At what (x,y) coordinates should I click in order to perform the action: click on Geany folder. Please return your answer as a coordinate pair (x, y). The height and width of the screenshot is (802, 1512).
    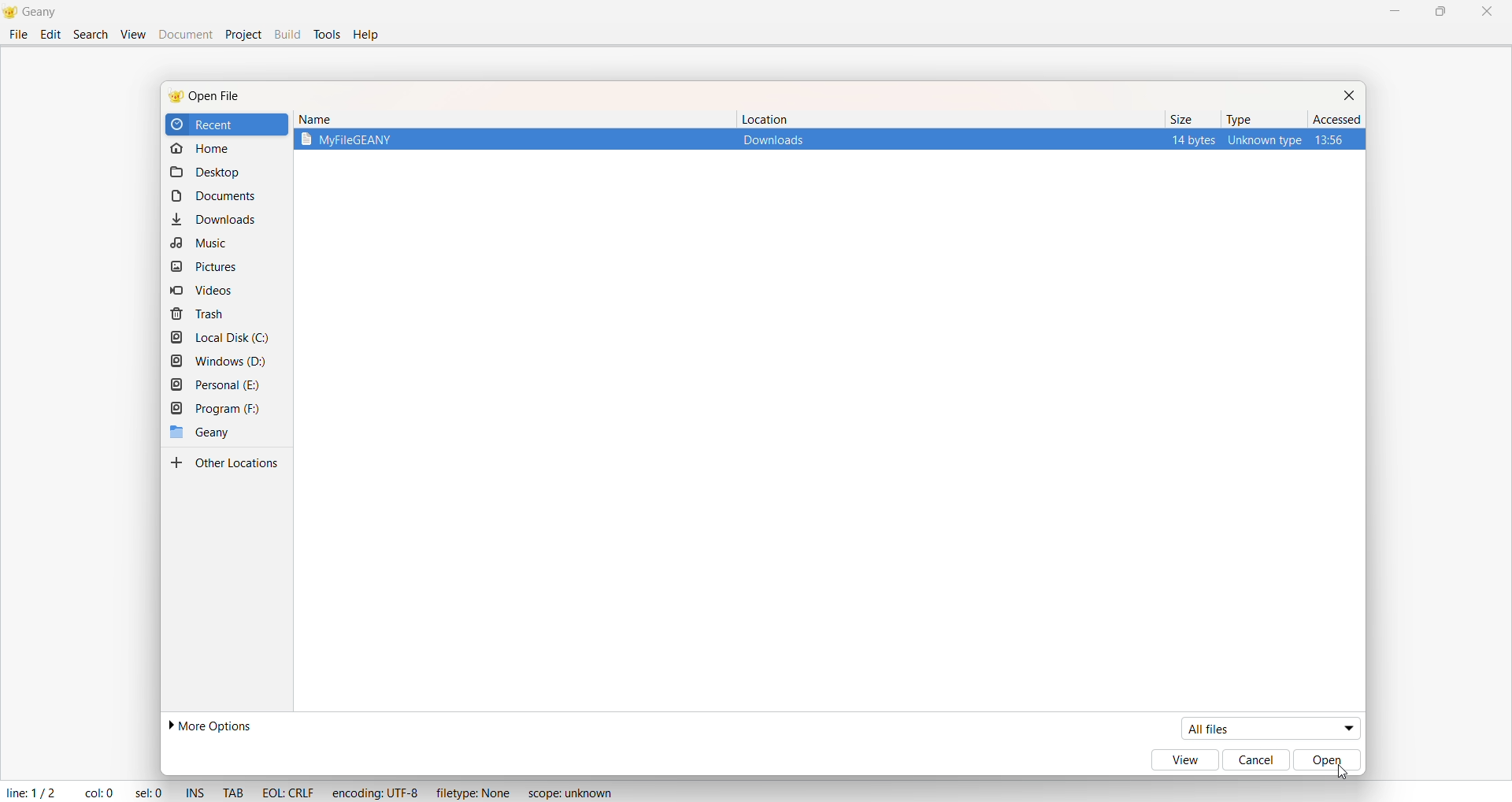
    Looking at the image, I should click on (196, 433).